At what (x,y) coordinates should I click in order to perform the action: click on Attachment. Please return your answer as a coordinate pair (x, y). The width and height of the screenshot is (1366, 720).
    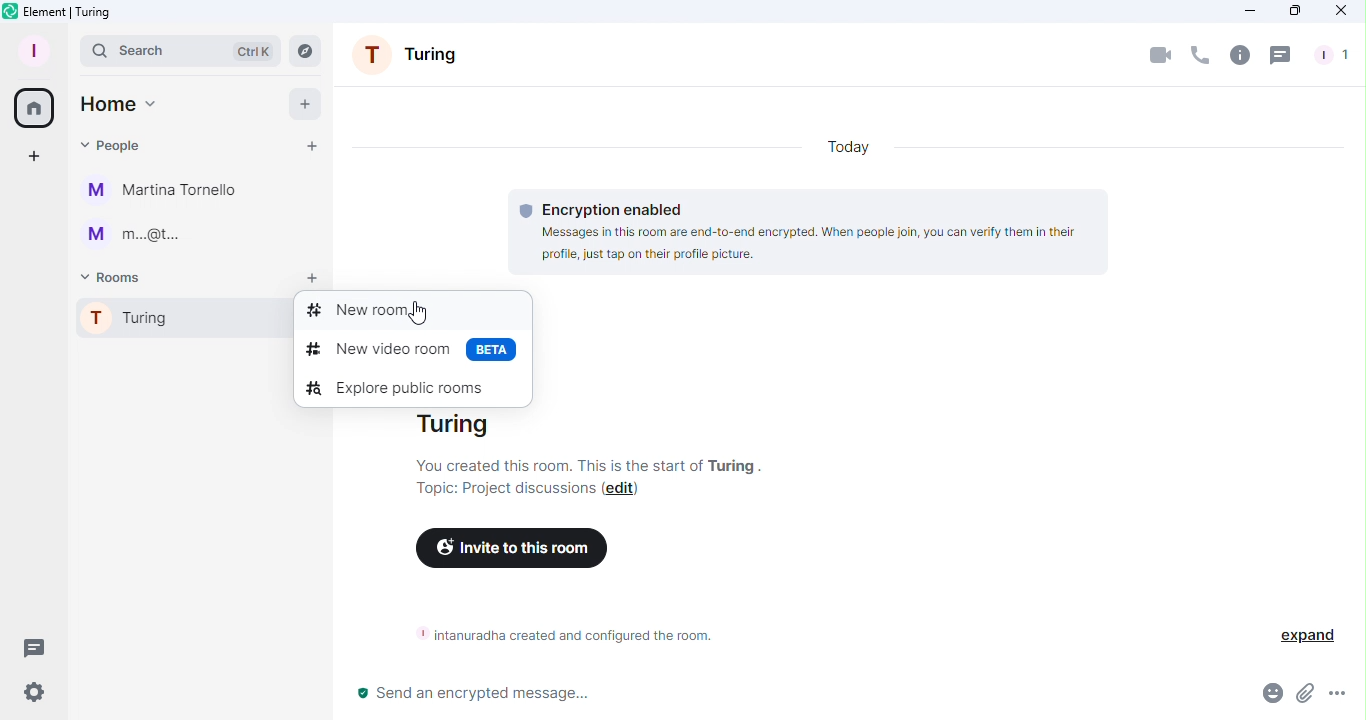
    Looking at the image, I should click on (1304, 699).